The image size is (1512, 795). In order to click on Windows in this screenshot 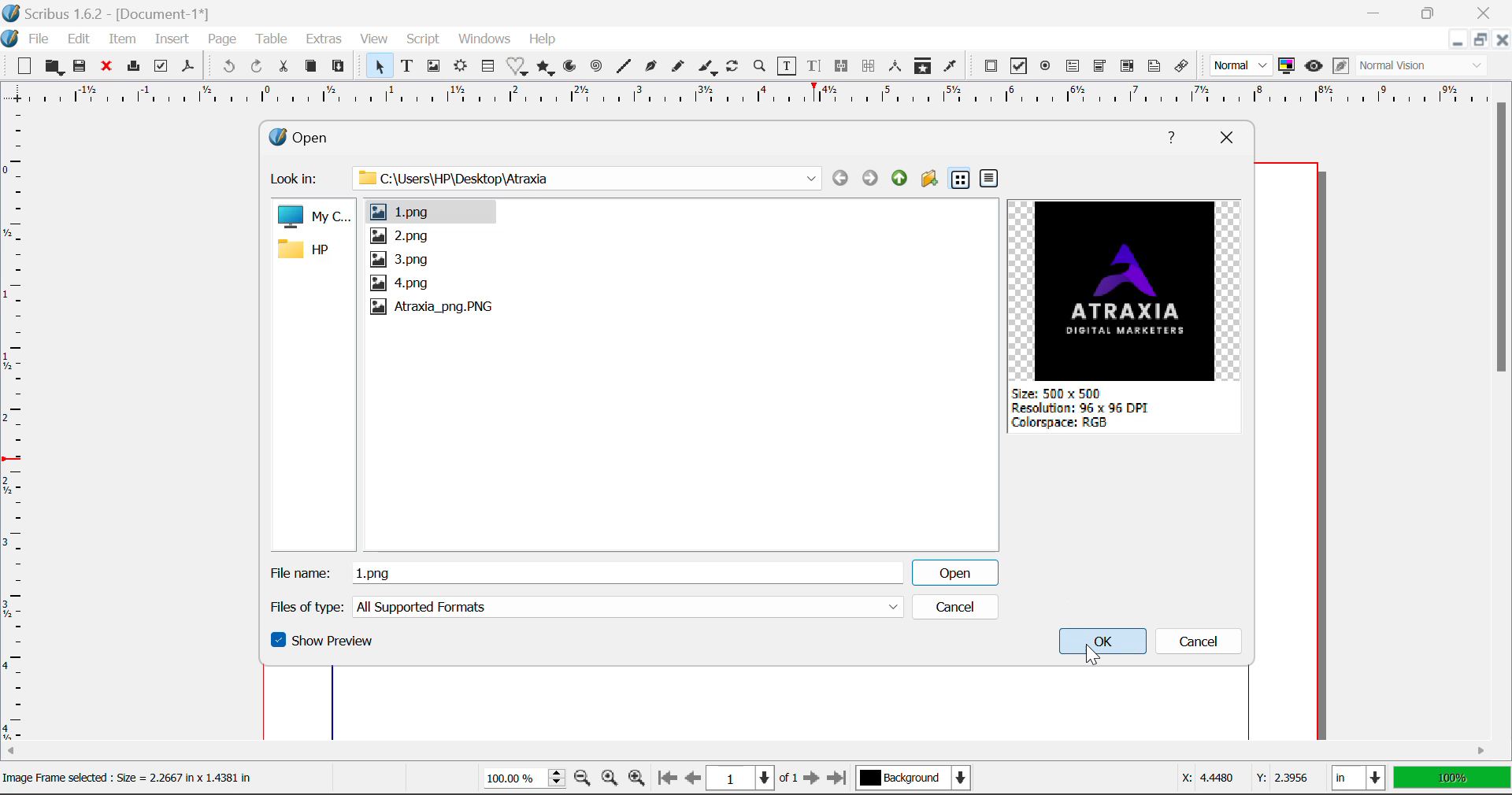, I will do `click(485, 39)`.